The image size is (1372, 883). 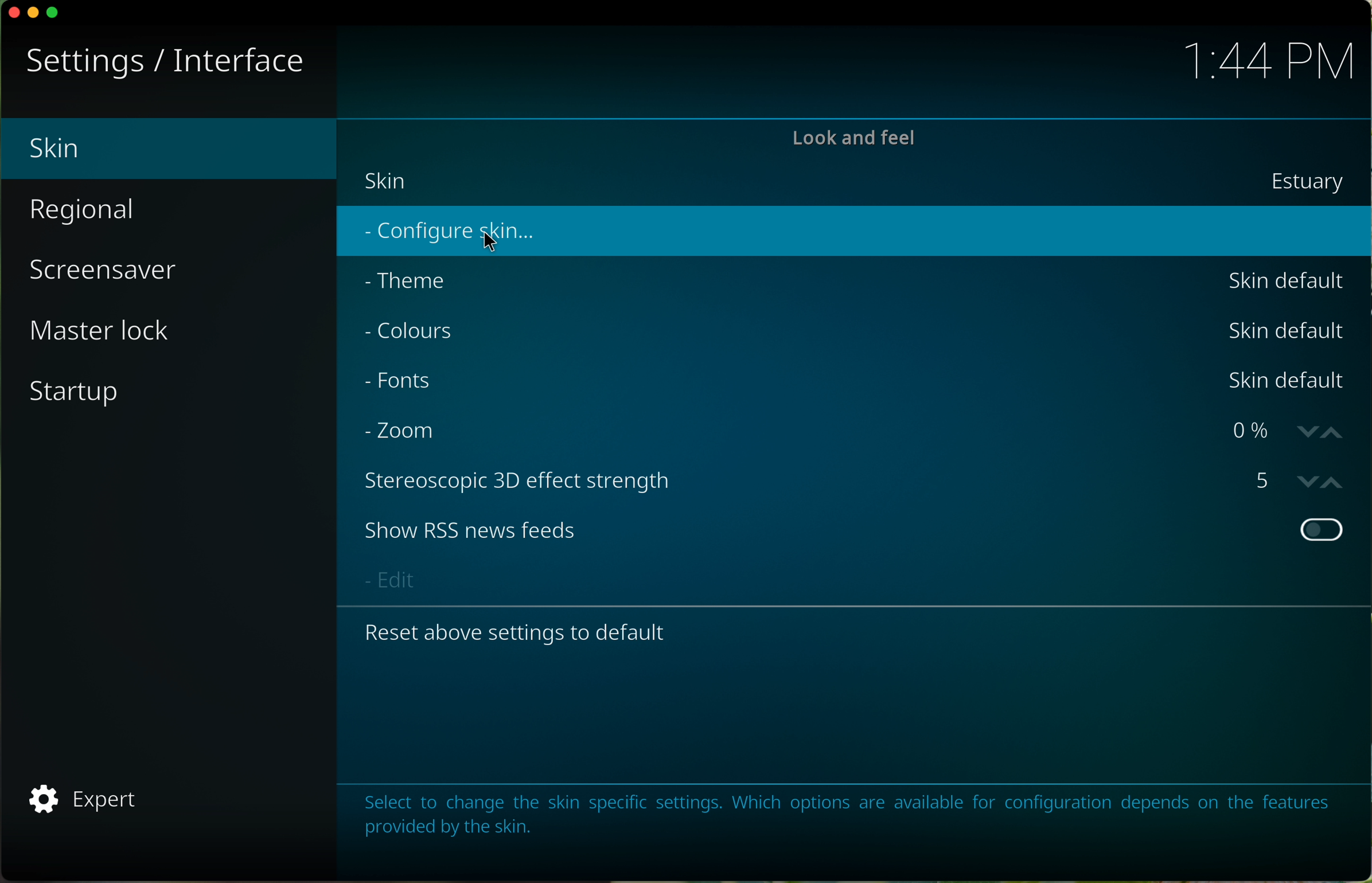 What do you see at coordinates (486, 243) in the screenshot?
I see `cursor` at bounding box center [486, 243].